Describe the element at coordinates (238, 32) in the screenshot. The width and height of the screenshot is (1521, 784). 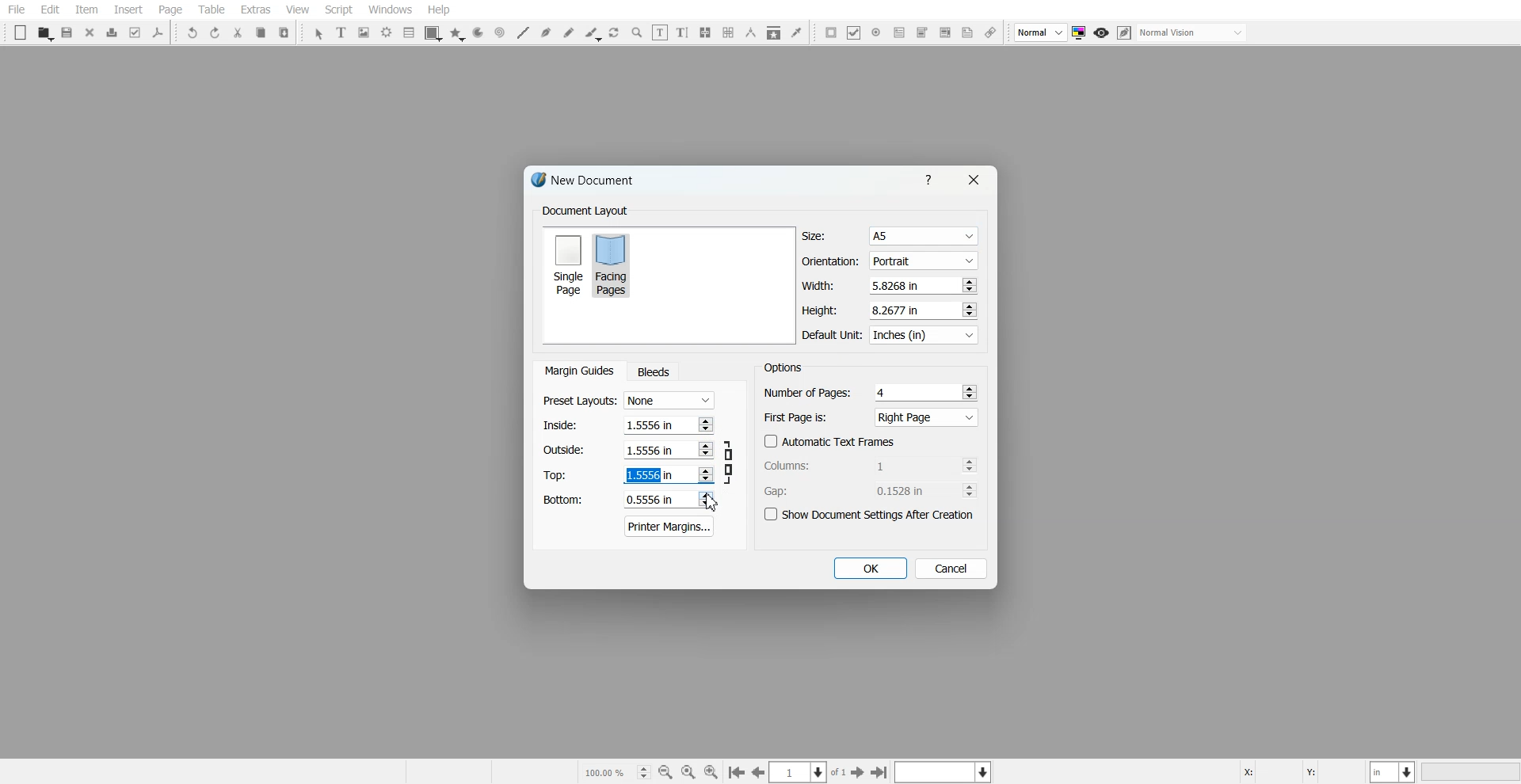
I see `Cut` at that location.